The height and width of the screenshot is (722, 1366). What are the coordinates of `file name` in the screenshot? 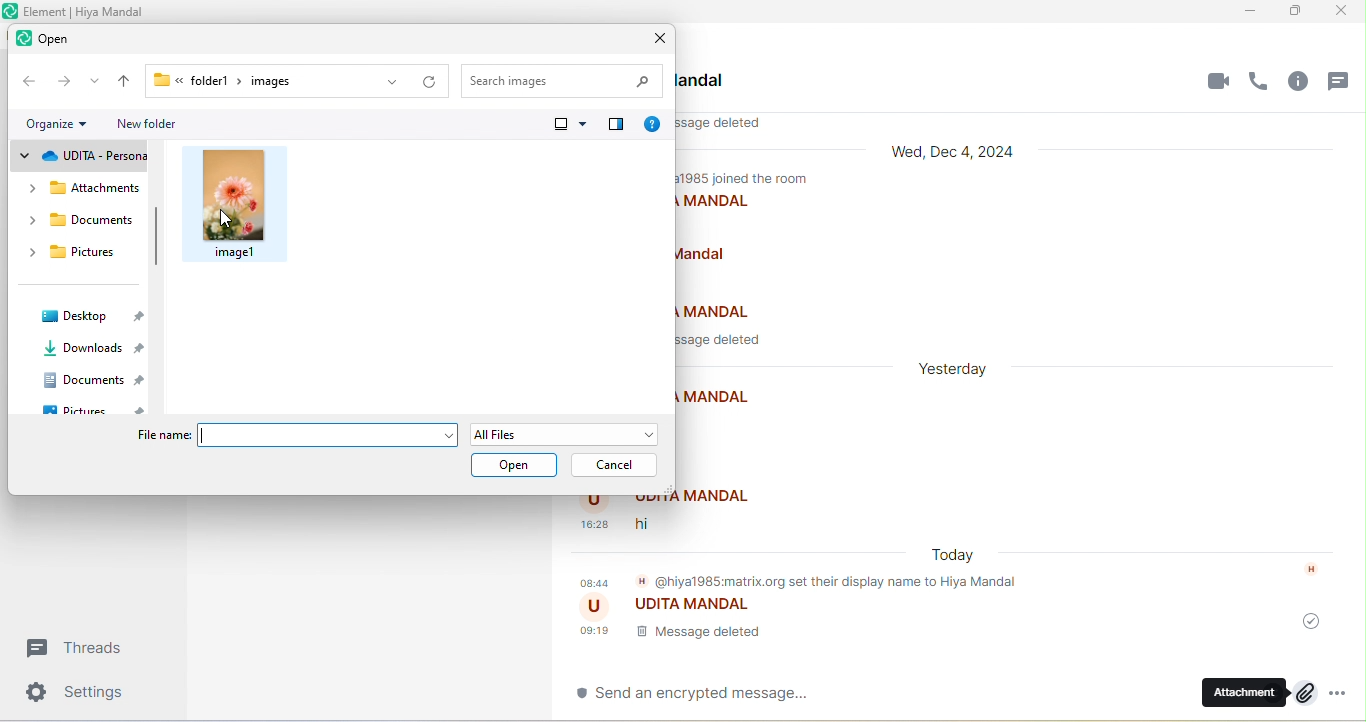 It's located at (327, 437).